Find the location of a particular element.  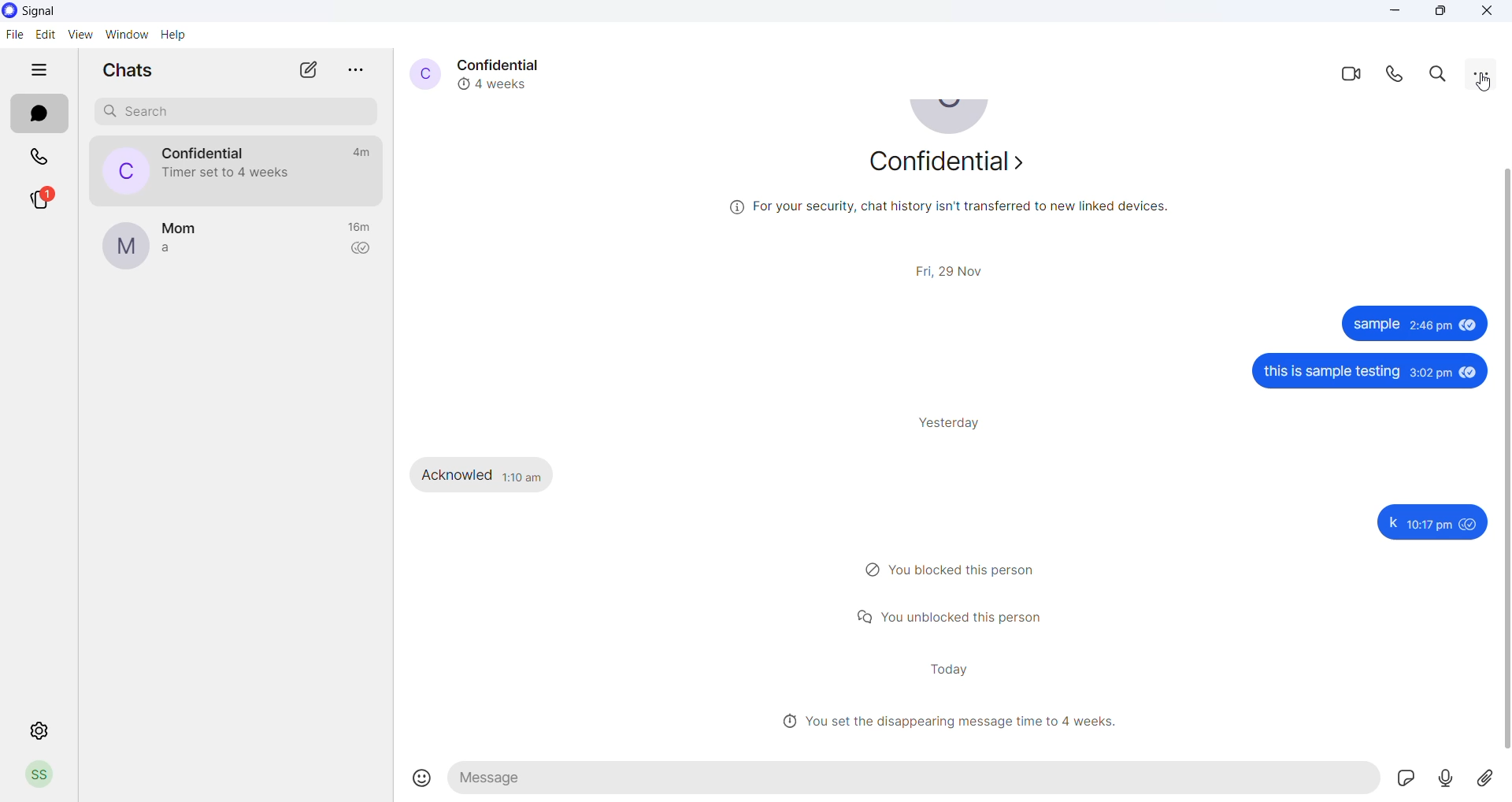

window is located at coordinates (129, 35).